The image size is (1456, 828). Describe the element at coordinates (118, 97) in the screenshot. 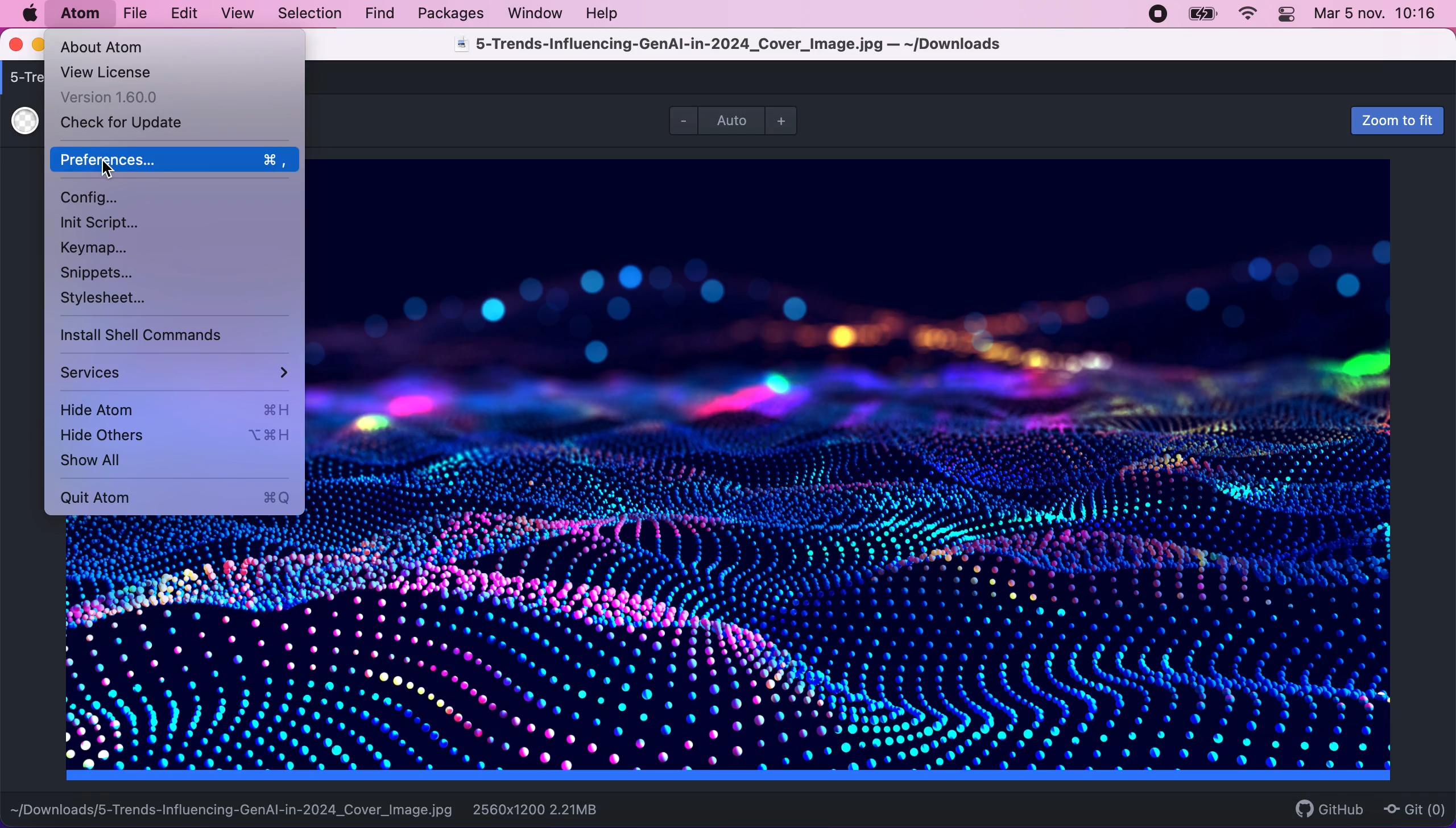

I see `version 1.60.0` at that location.